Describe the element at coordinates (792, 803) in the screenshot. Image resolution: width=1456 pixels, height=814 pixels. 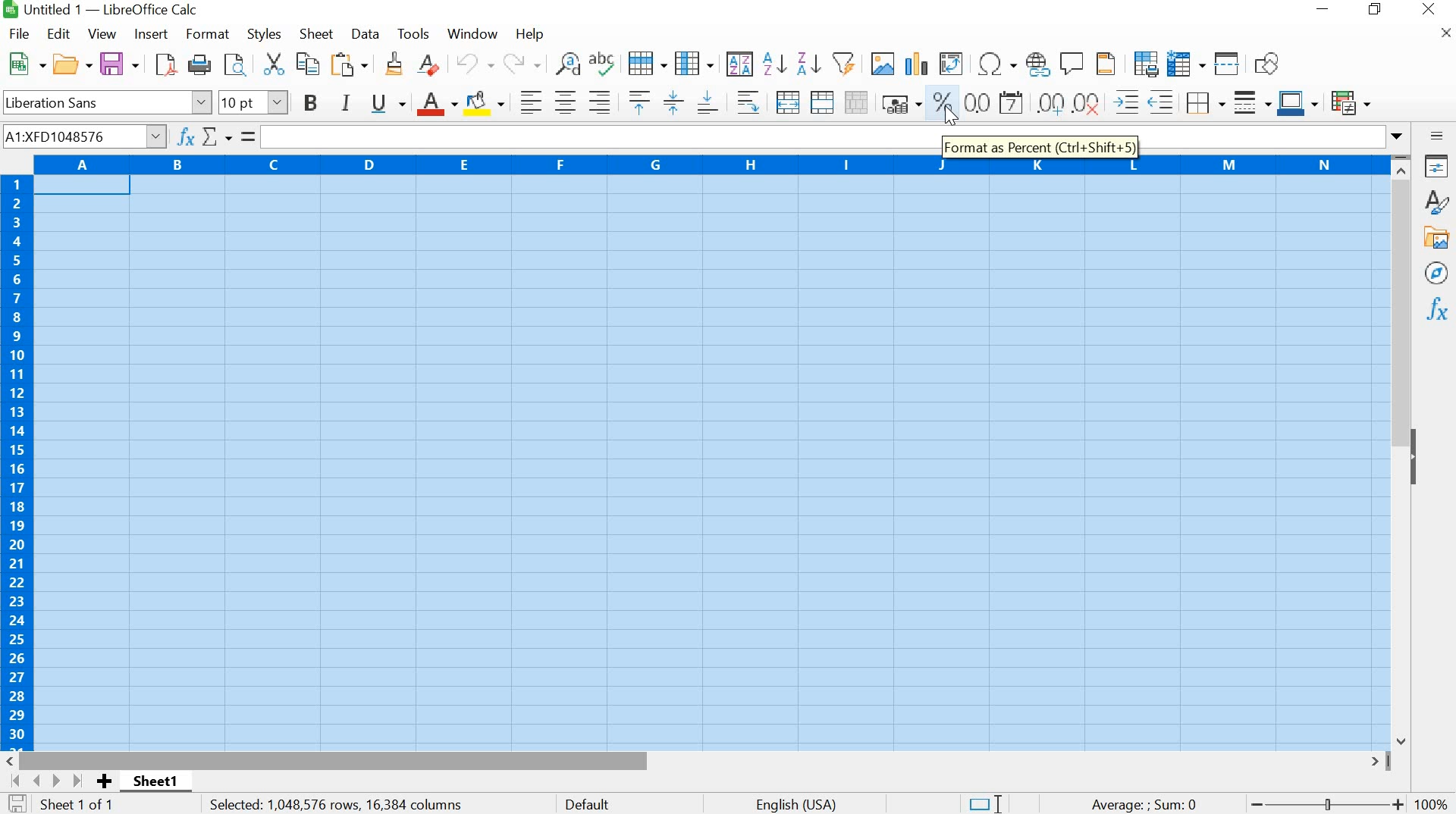
I see `English (USA)` at that location.